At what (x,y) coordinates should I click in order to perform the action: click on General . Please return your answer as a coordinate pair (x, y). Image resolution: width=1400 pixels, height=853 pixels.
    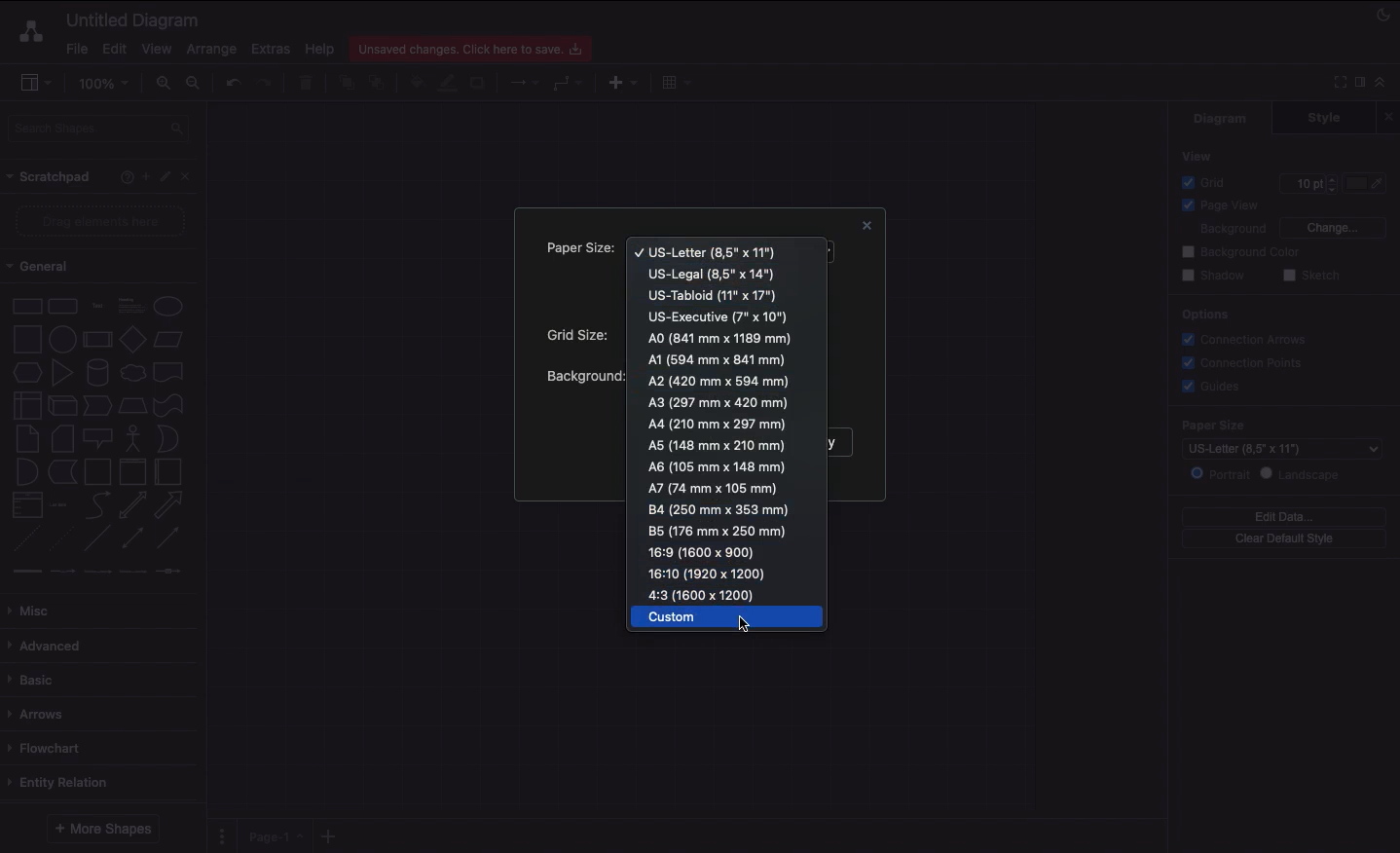
    Looking at the image, I should click on (49, 267).